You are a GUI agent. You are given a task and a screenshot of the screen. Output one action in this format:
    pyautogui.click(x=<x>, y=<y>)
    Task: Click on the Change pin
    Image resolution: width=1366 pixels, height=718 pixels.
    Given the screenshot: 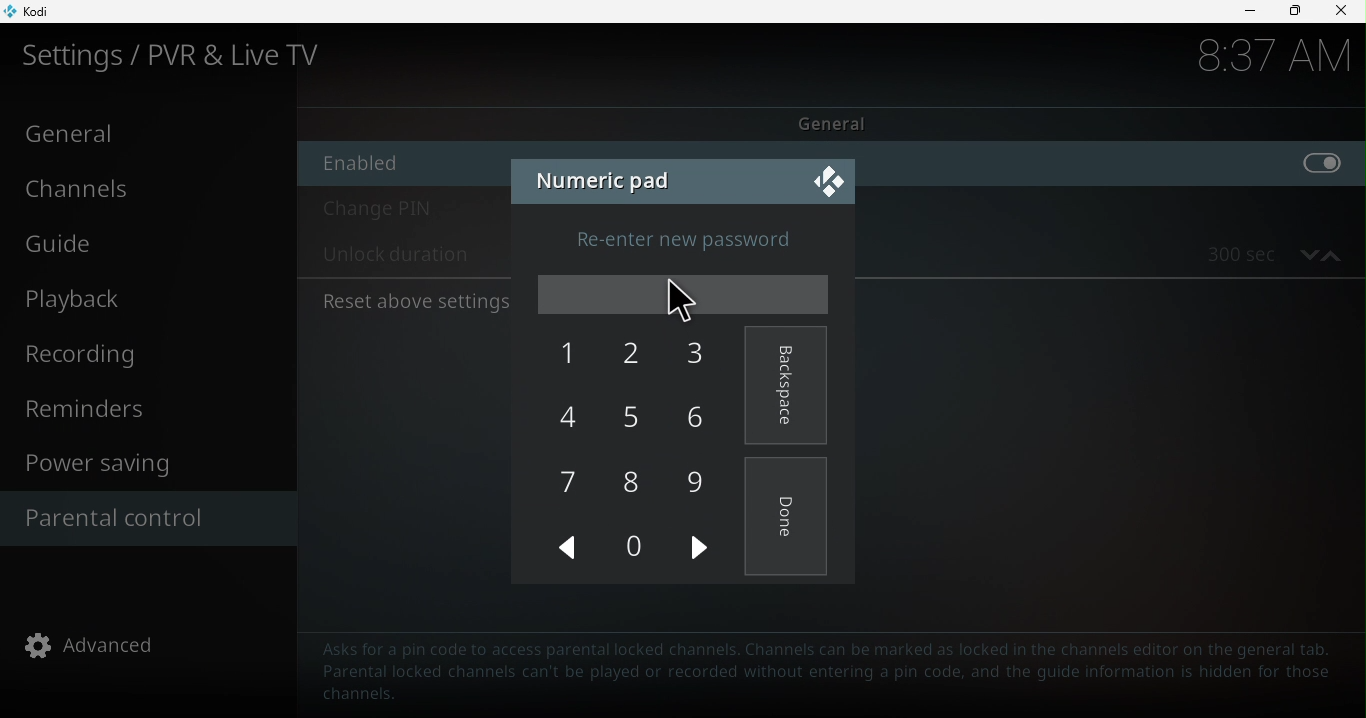 What is the action you would take?
    pyautogui.click(x=405, y=212)
    